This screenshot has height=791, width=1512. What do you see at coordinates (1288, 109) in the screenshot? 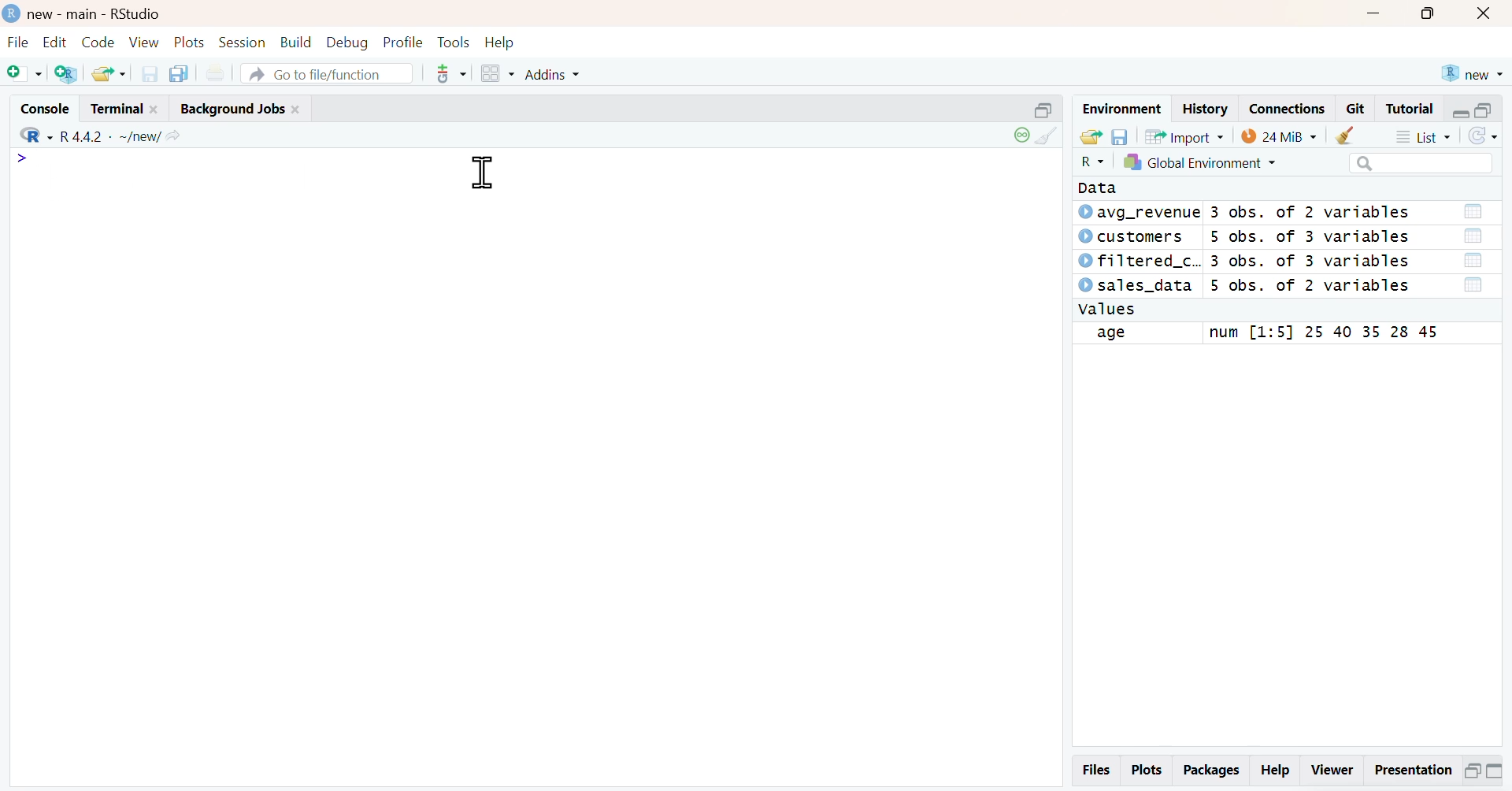
I see `Connections` at bounding box center [1288, 109].